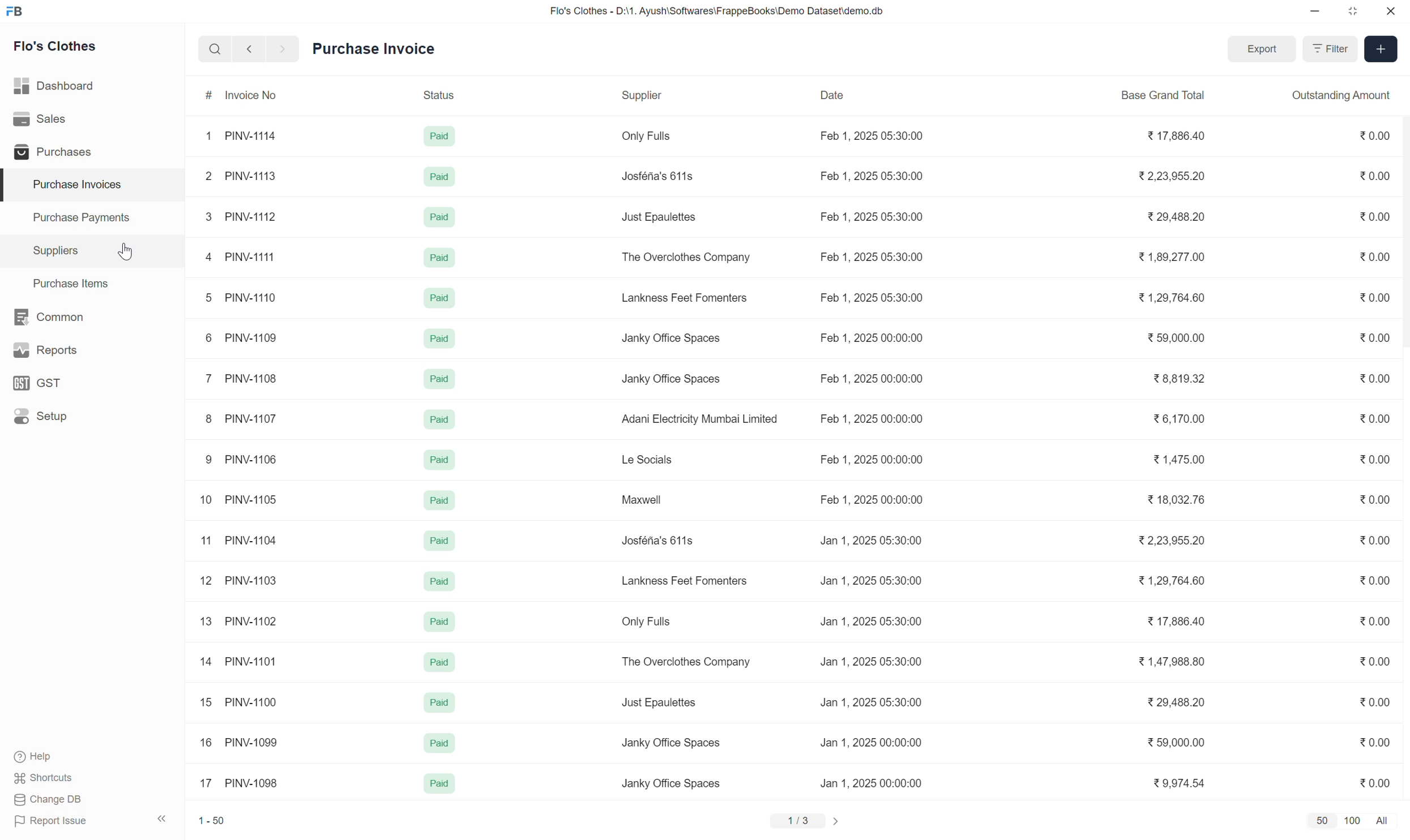 This screenshot has width=1410, height=840. Describe the element at coordinates (872, 783) in the screenshot. I see `Jan 1, 2025 00:00:00` at that location.